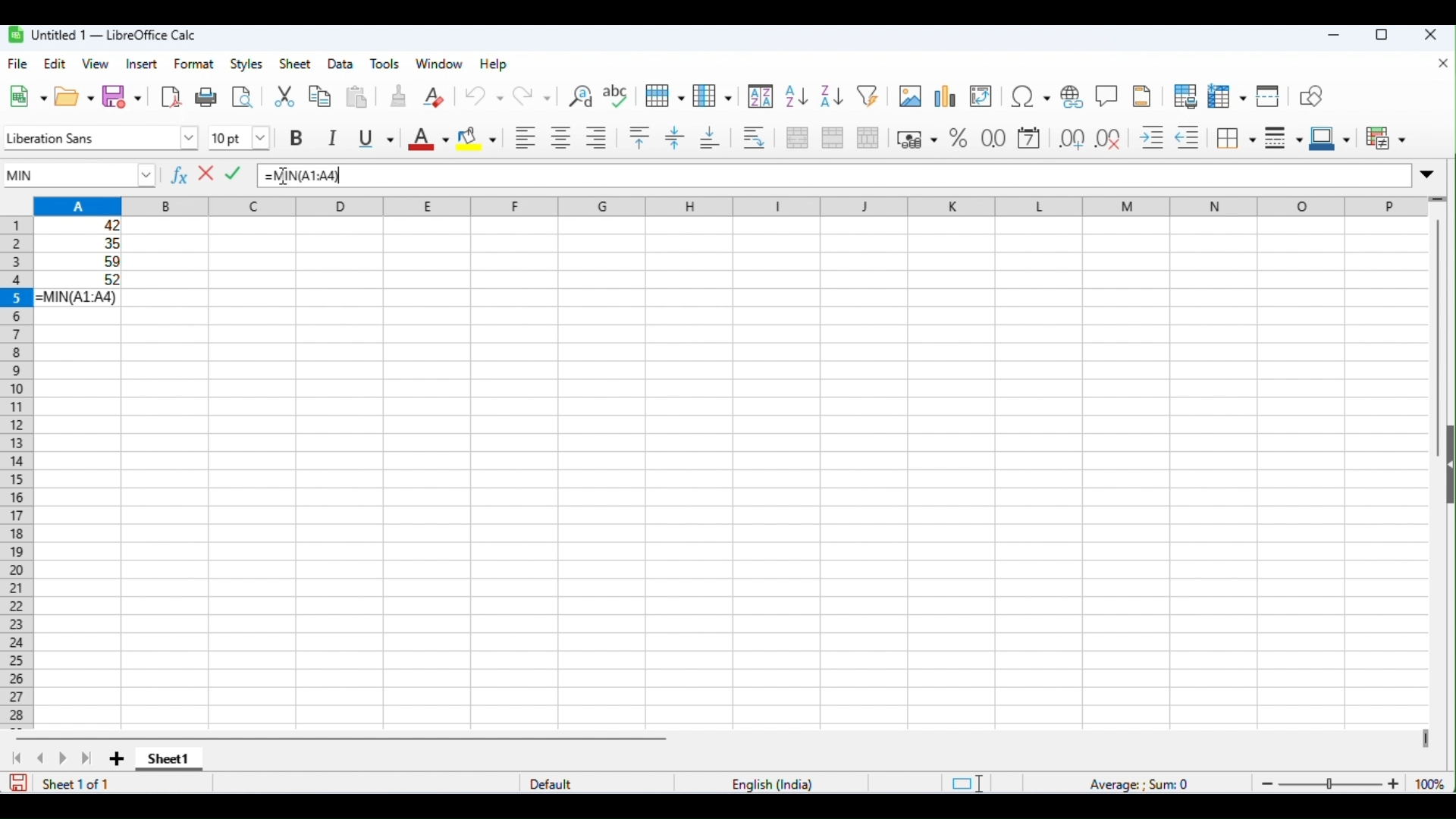 The image size is (1456, 819). What do you see at coordinates (27, 97) in the screenshot?
I see `new` at bounding box center [27, 97].